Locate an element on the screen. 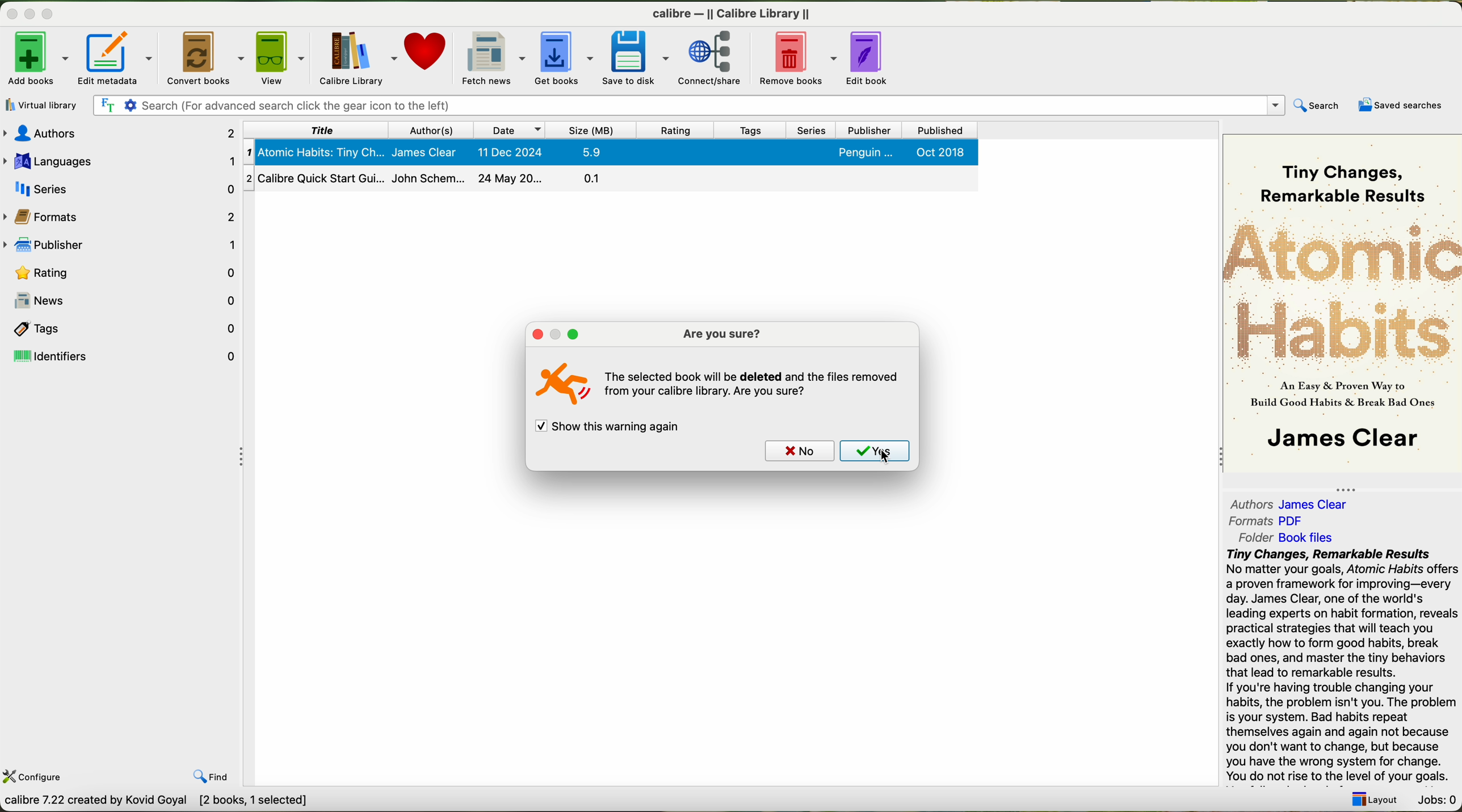 The height and width of the screenshot is (812, 1462). layout is located at coordinates (1378, 800).